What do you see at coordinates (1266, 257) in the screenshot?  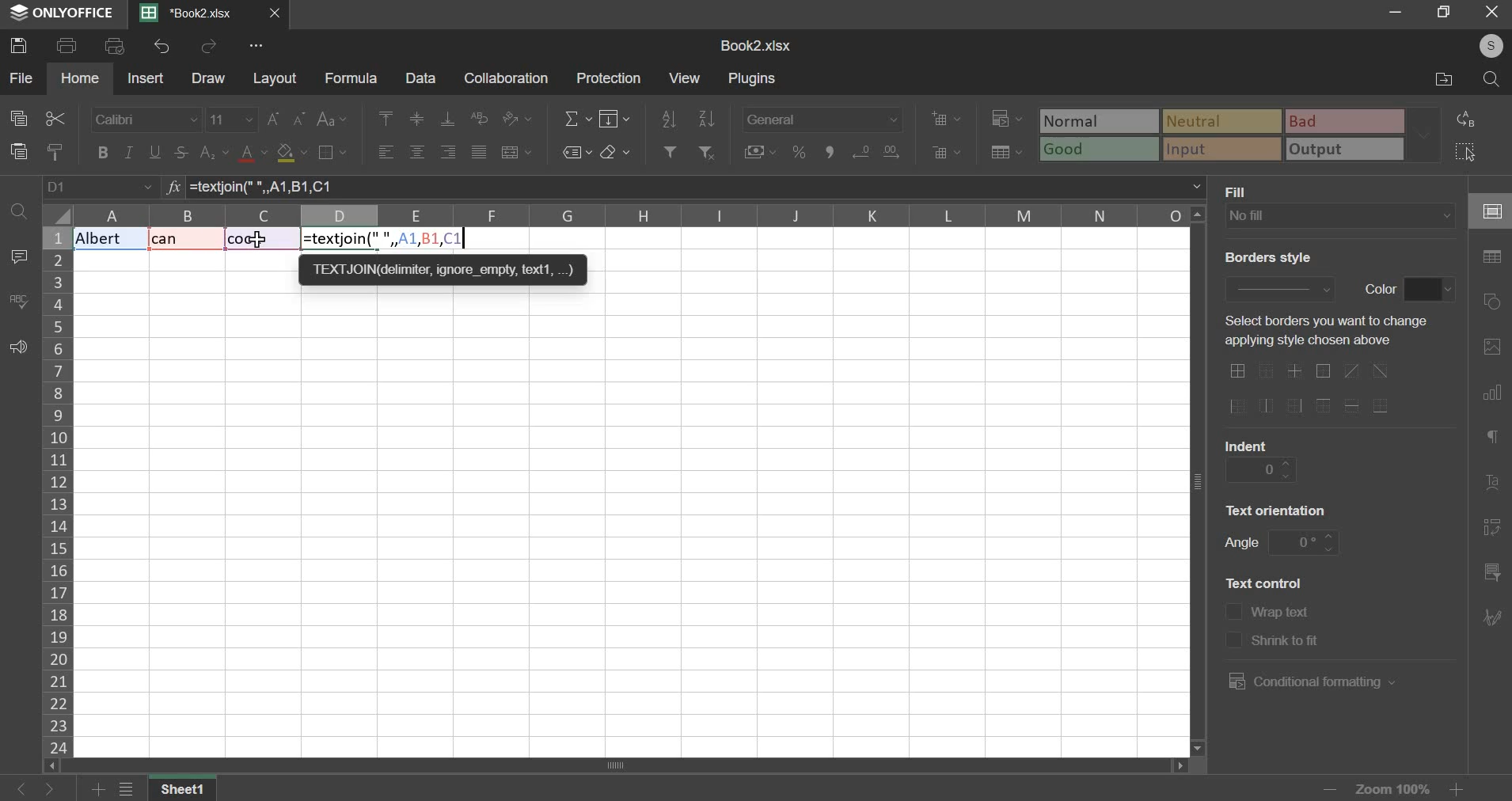 I see `text` at bounding box center [1266, 257].